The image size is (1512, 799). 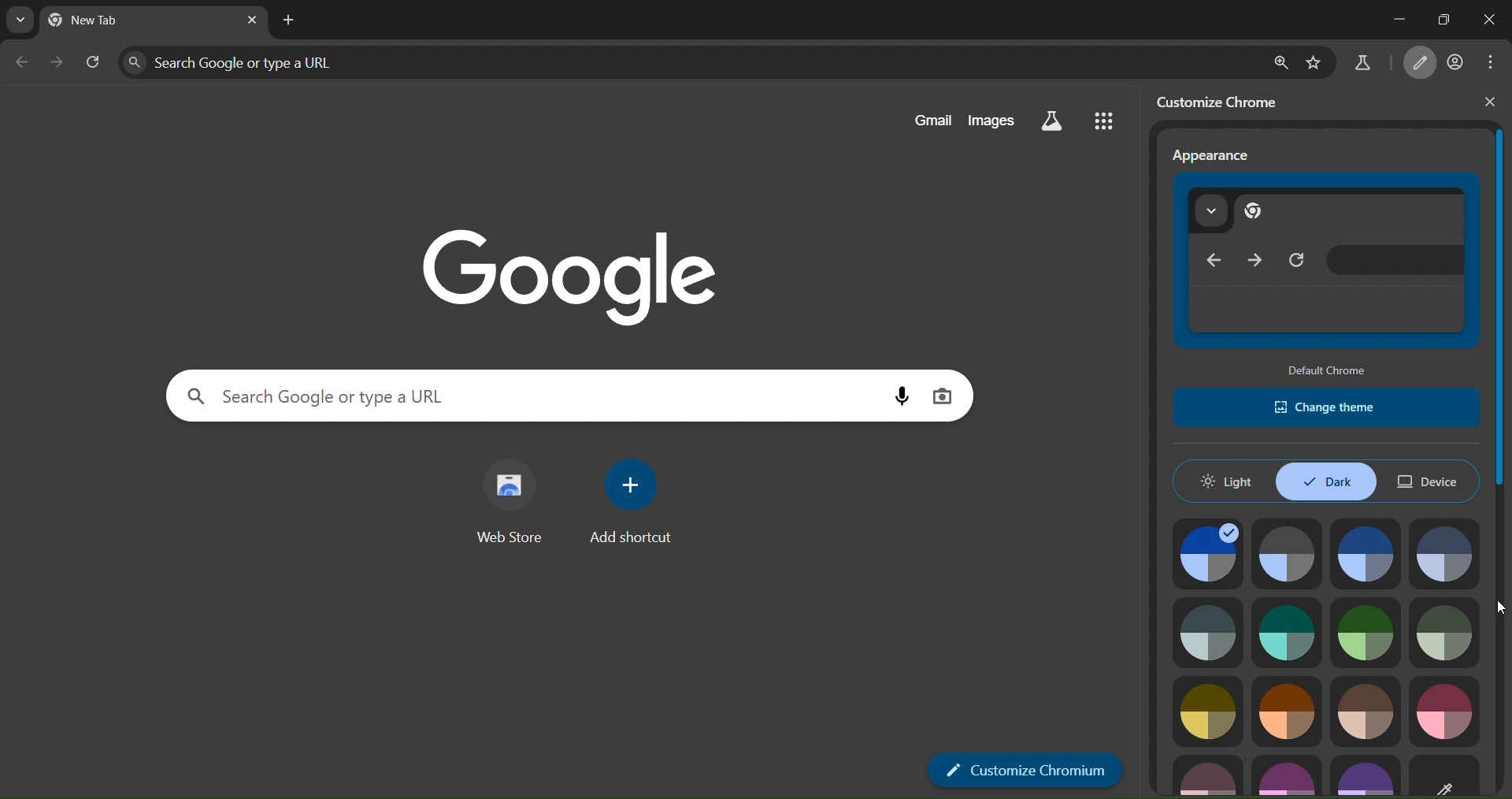 I want to click on theme, so click(x=1369, y=554).